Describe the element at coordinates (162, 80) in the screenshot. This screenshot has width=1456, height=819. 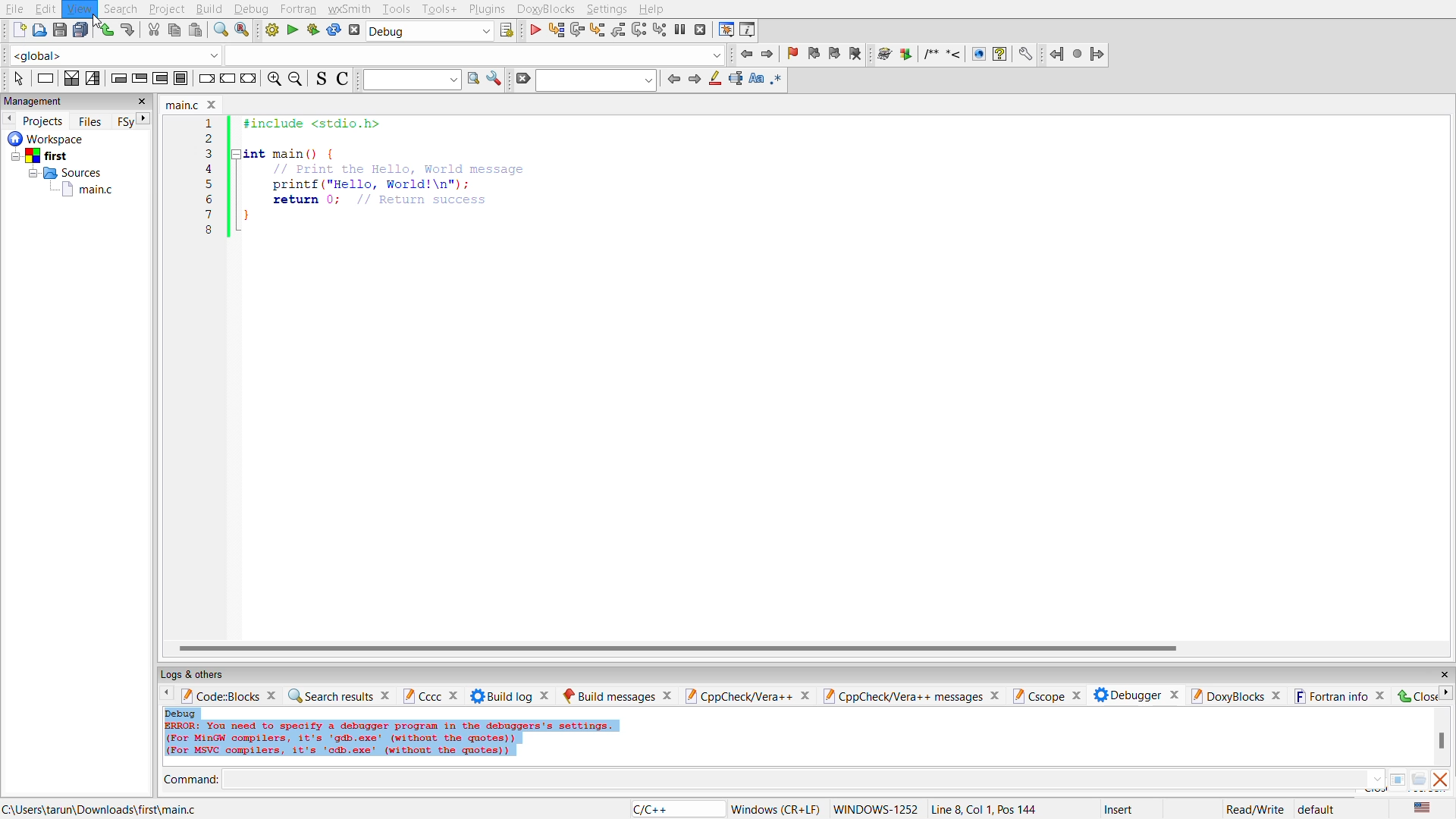
I see `counting loop` at that location.